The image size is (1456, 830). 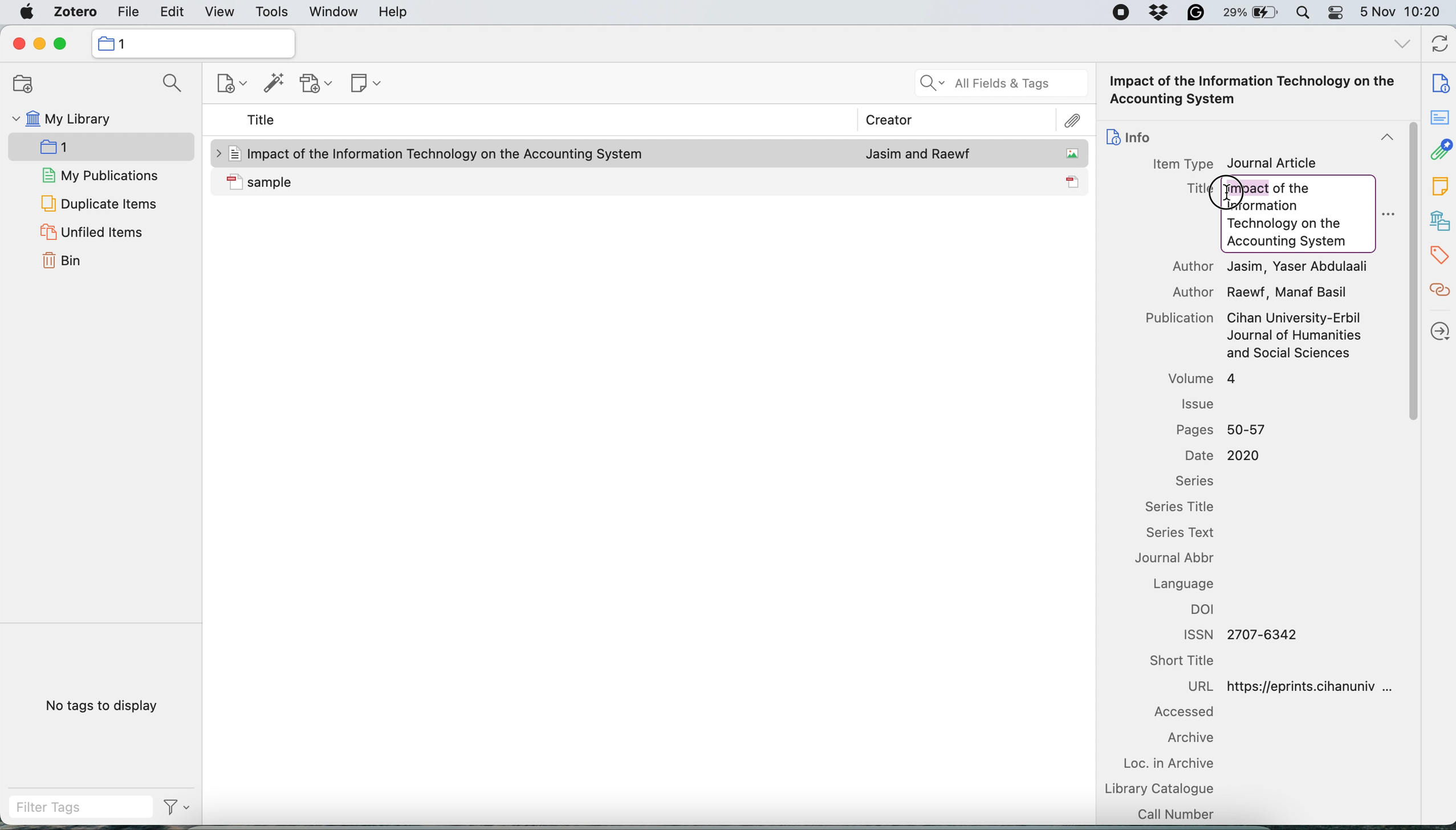 What do you see at coordinates (1233, 163) in the screenshot?
I see `Item Type Journal Article` at bounding box center [1233, 163].